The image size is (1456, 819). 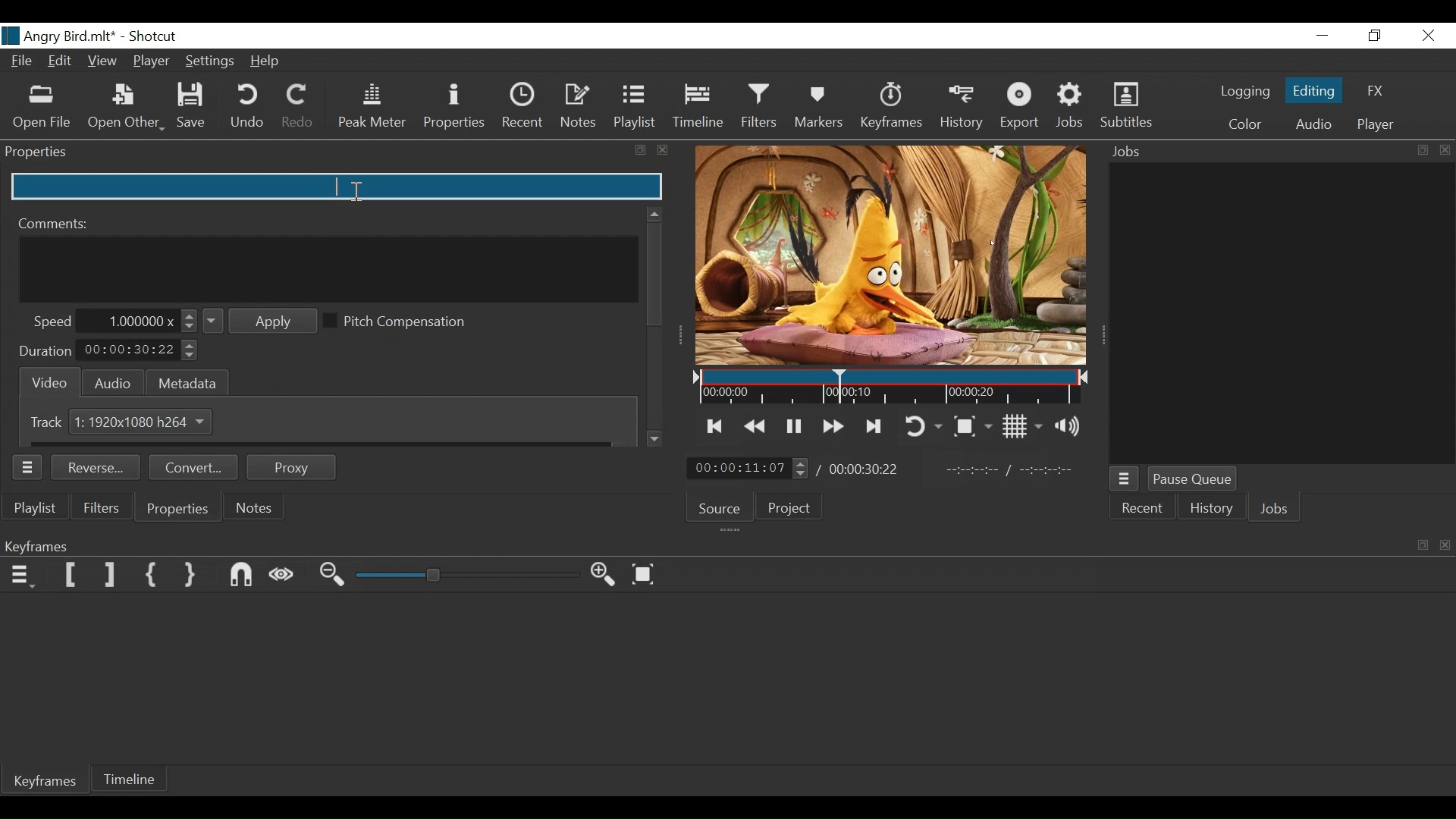 I want to click on Toggle play or pause, so click(x=794, y=426).